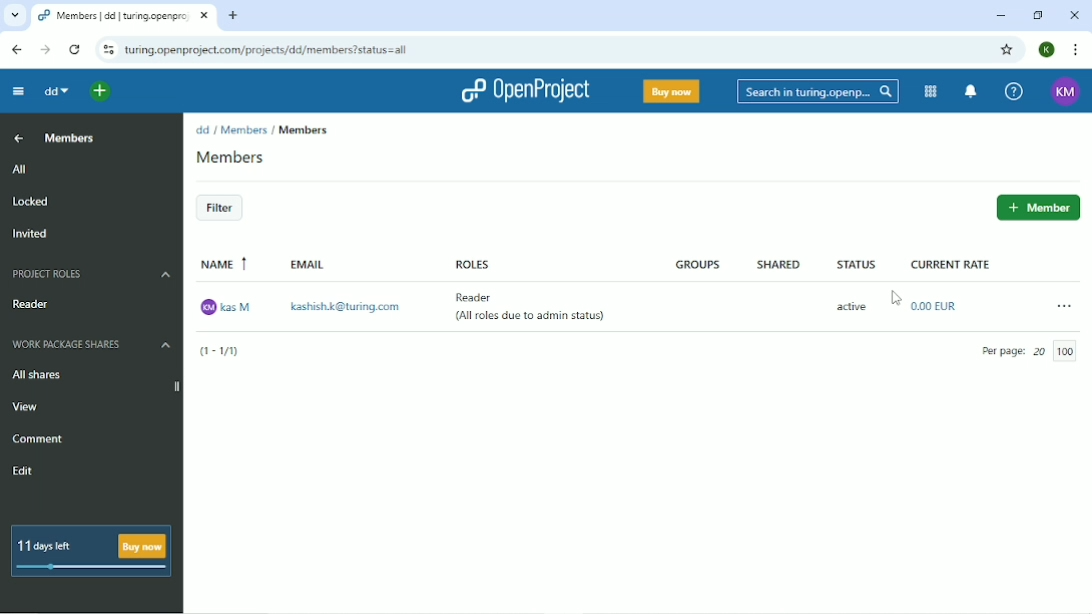  I want to click on All shares, so click(36, 376).